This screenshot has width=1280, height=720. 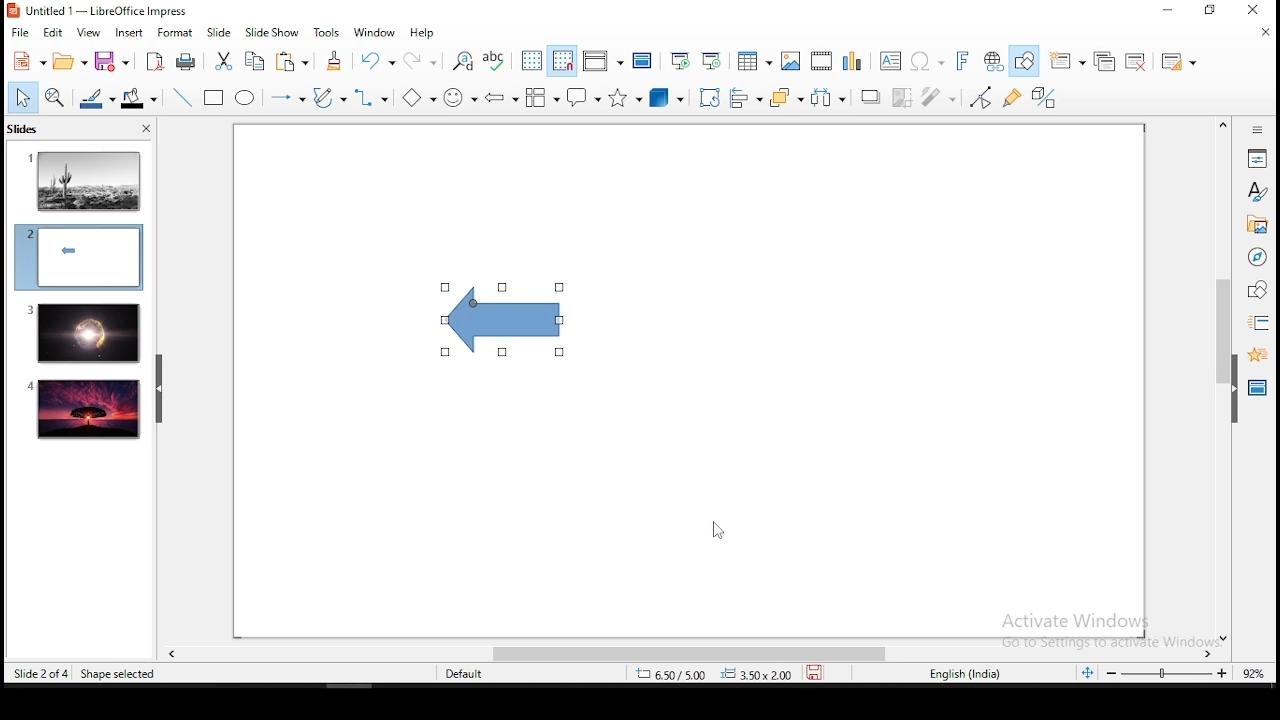 I want to click on slide layout, so click(x=1176, y=62).